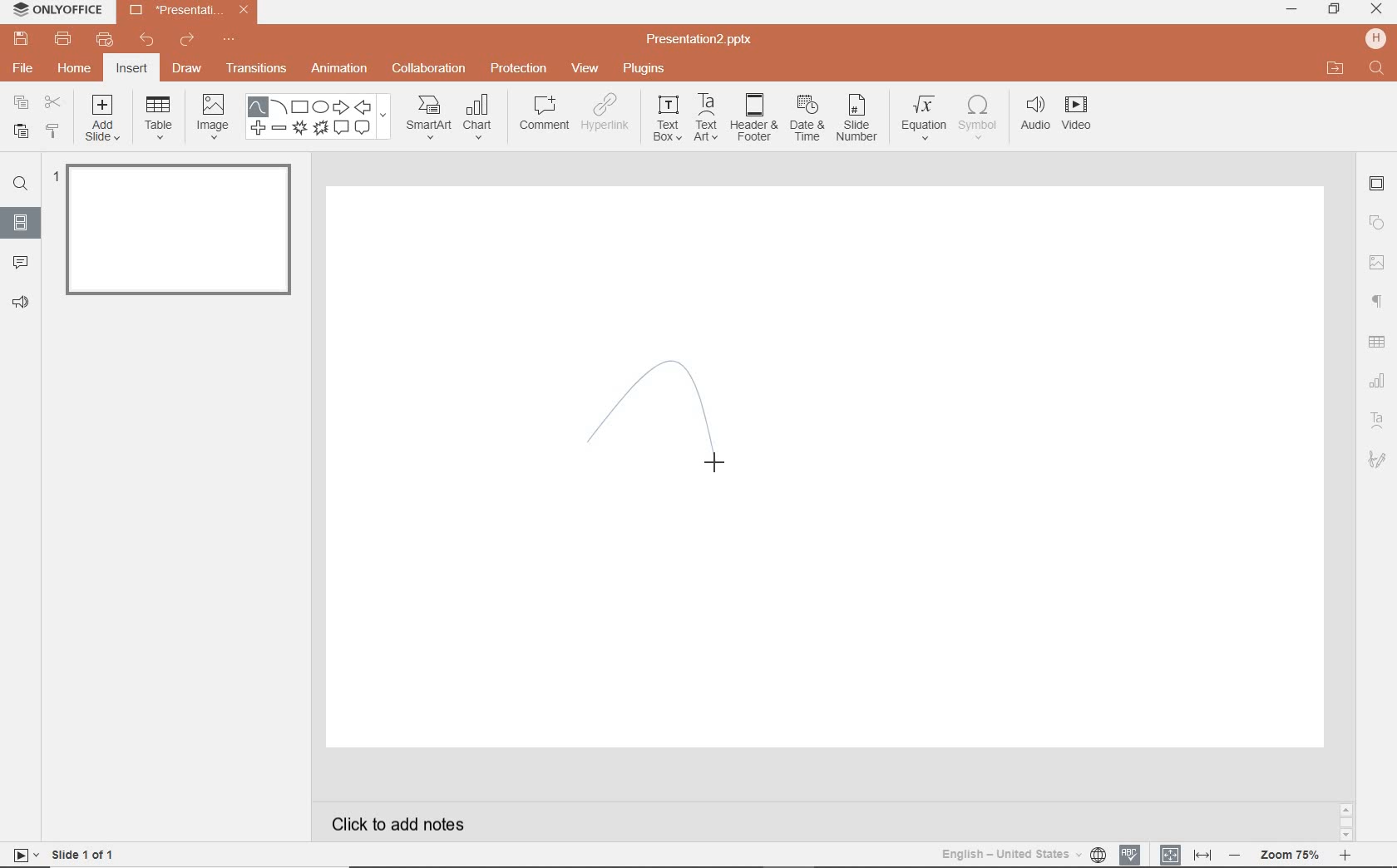 Image resolution: width=1397 pixels, height=868 pixels. What do you see at coordinates (1379, 421) in the screenshot?
I see `TEXT ART SETTINGS` at bounding box center [1379, 421].